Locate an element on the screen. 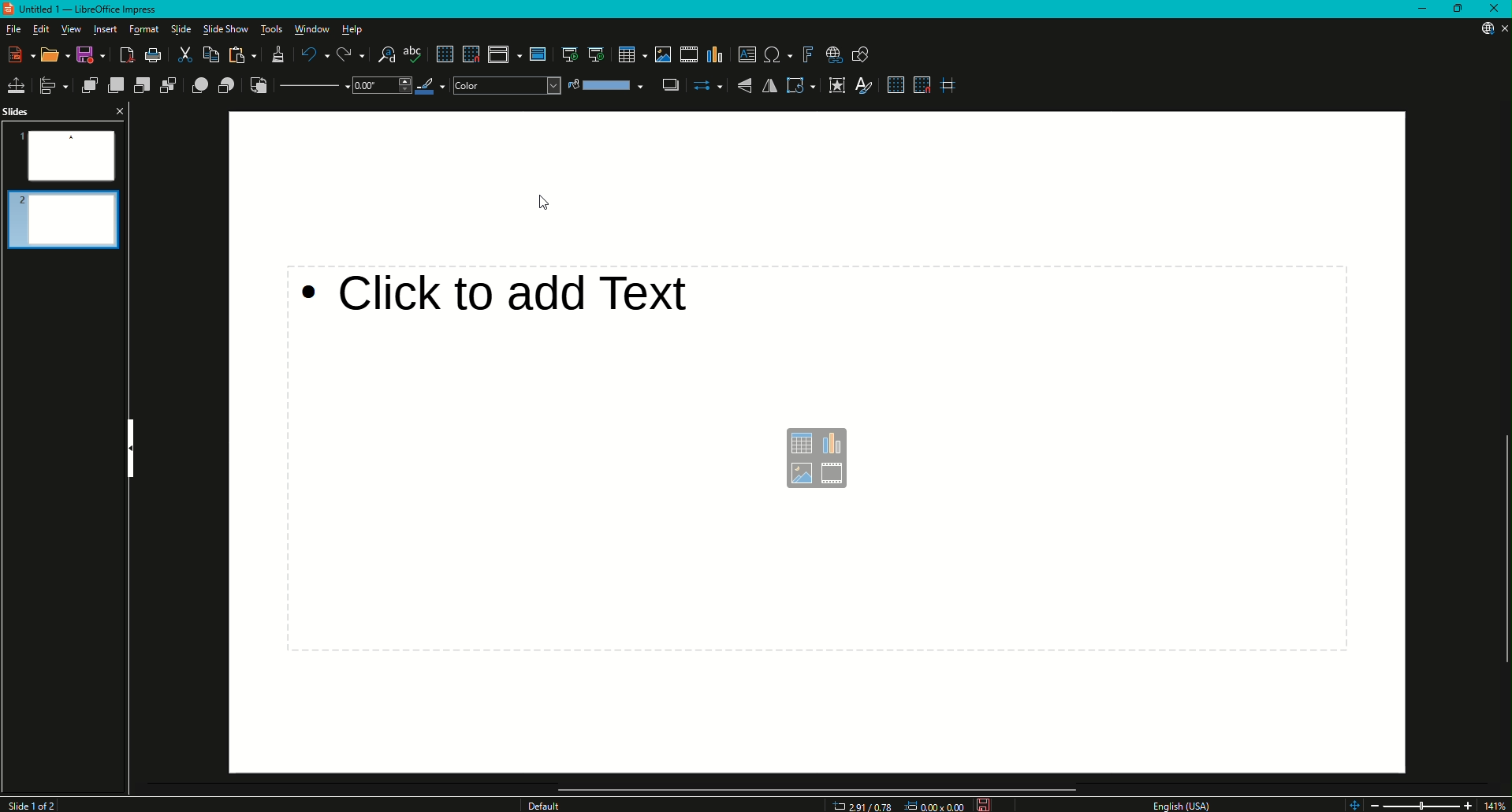  Export Directly as PDF is located at coordinates (126, 55).